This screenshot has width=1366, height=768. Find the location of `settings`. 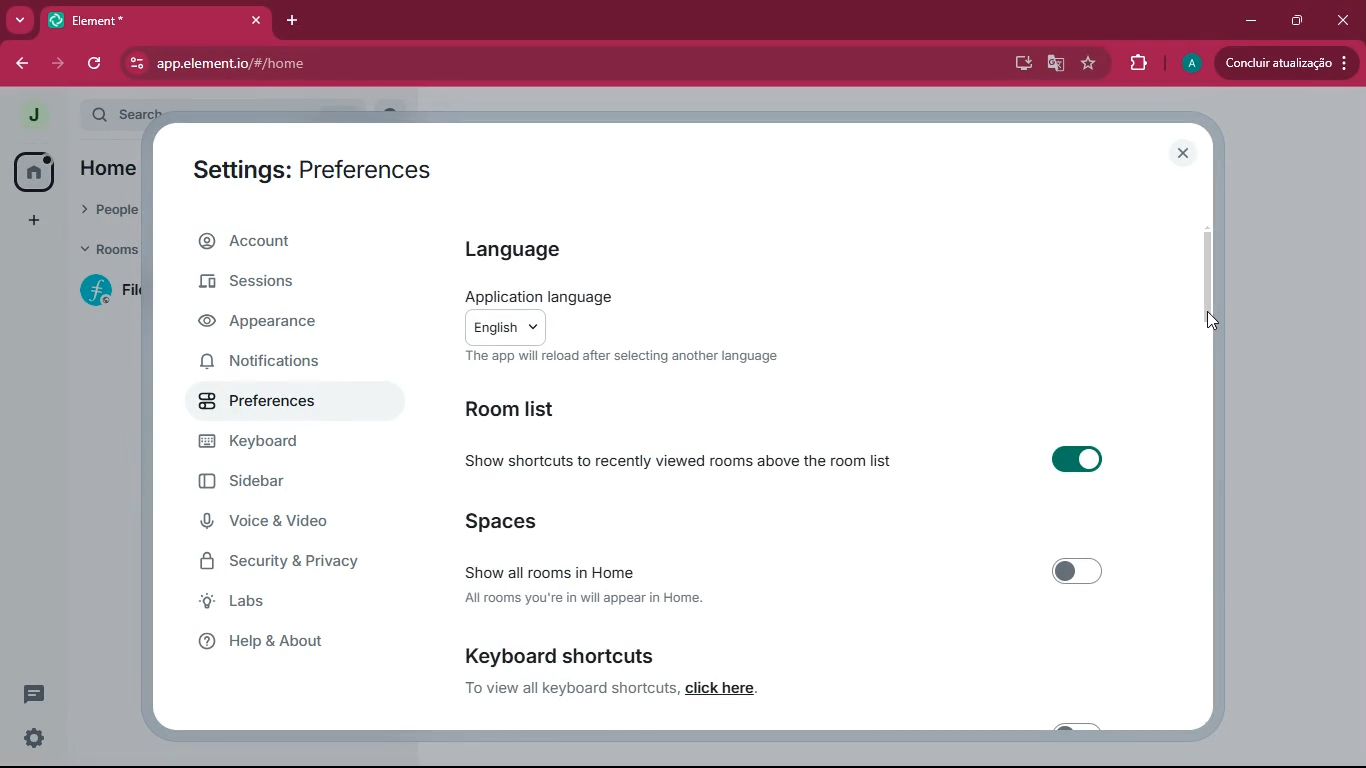

settings is located at coordinates (30, 739).